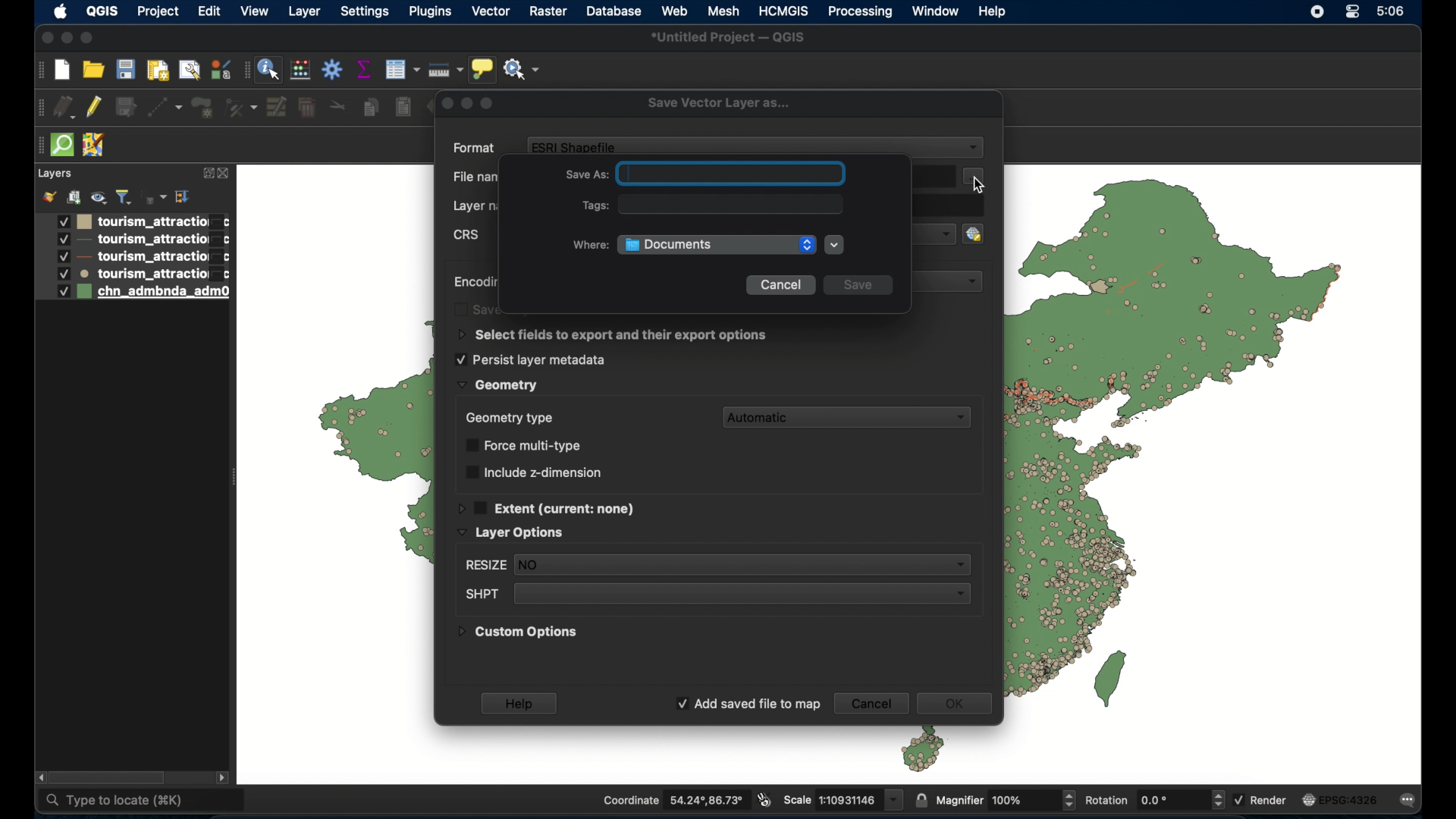 The width and height of the screenshot is (1456, 819). What do you see at coordinates (74, 195) in the screenshot?
I see `add group` at bounding box center [74, 195].